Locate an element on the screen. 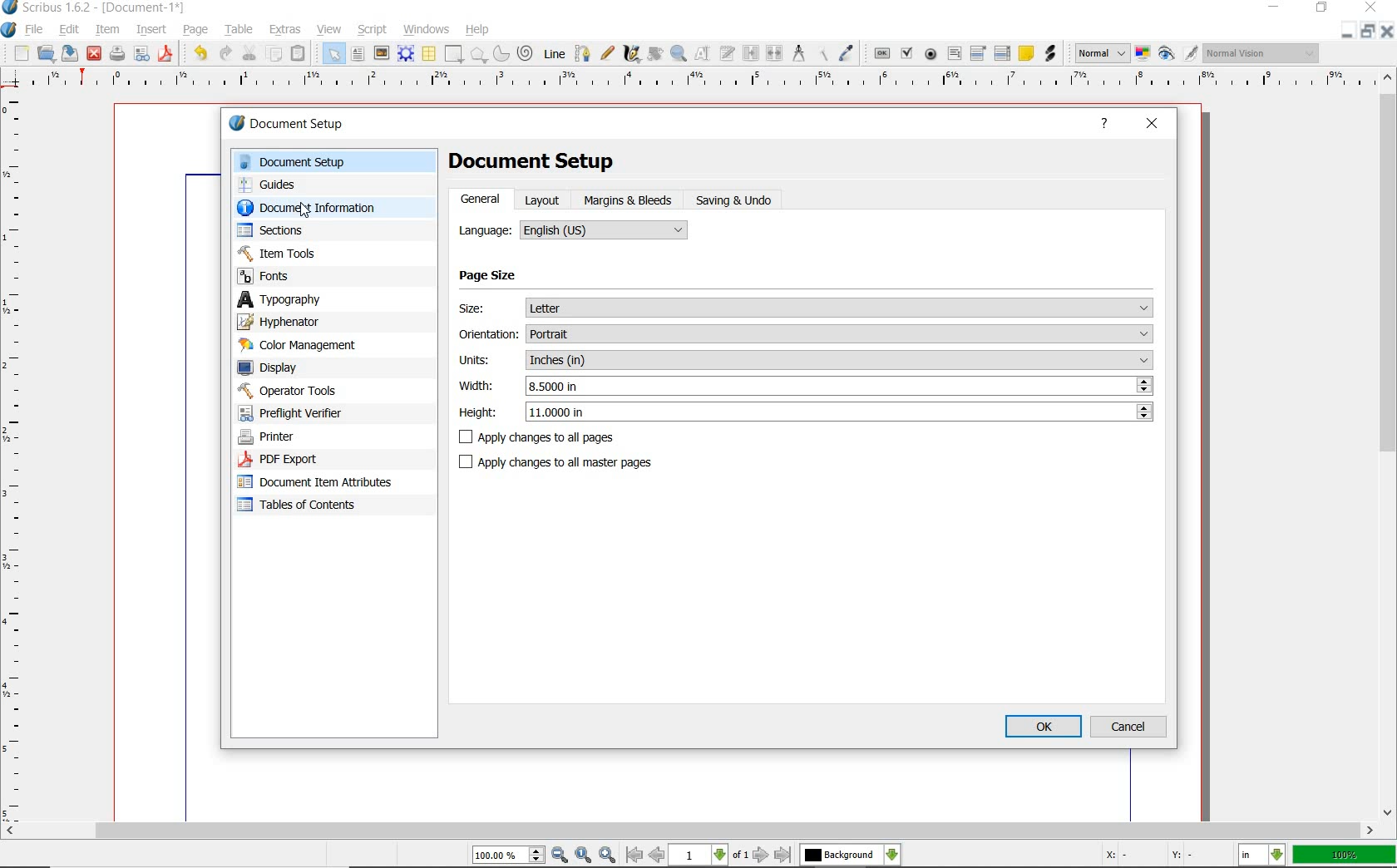  Document Setup is located at coordinates (531, 163).